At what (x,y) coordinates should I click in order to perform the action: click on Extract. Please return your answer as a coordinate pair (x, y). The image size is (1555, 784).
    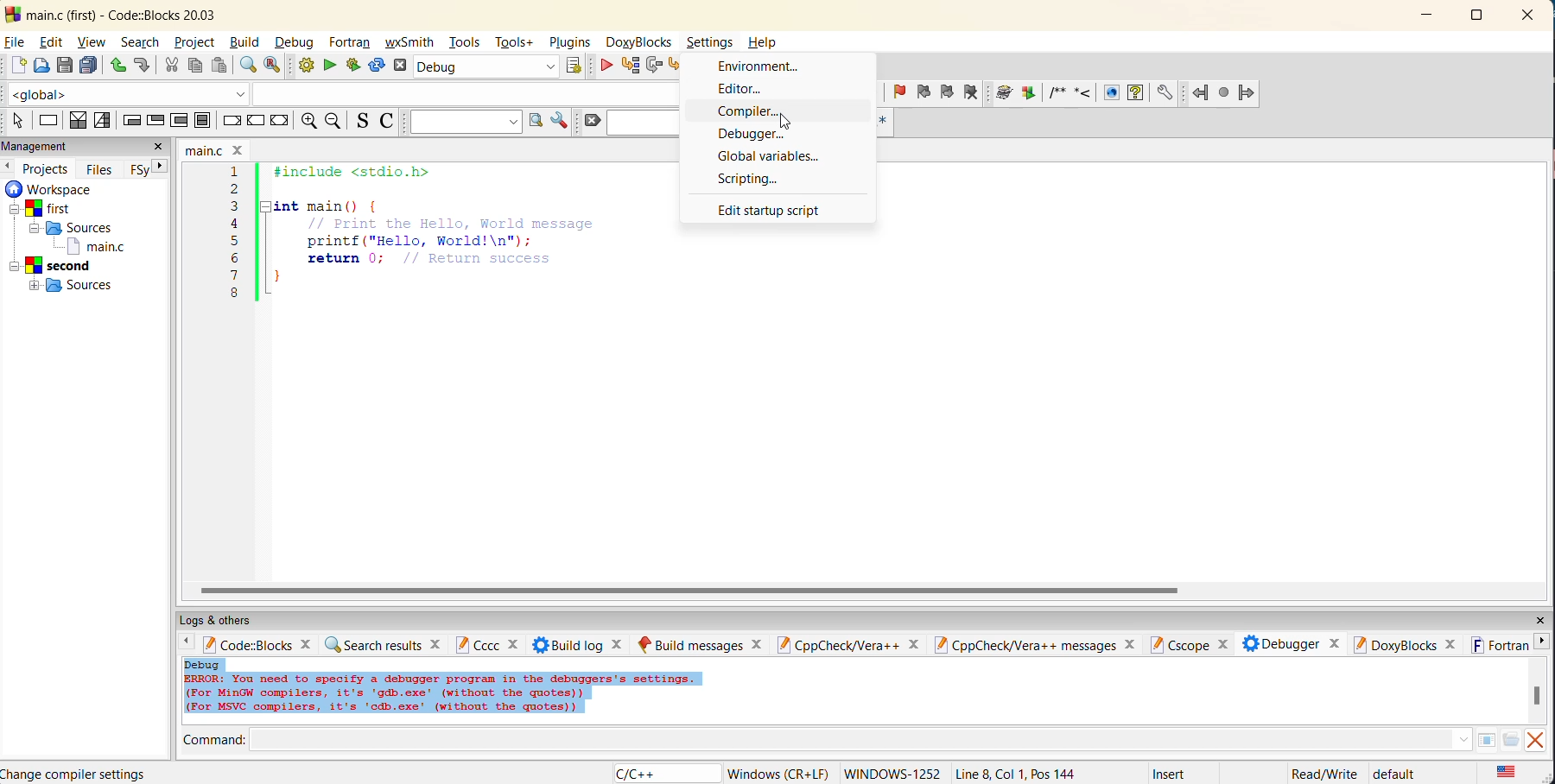
    Looking at the image, I should click on (1027, 94).